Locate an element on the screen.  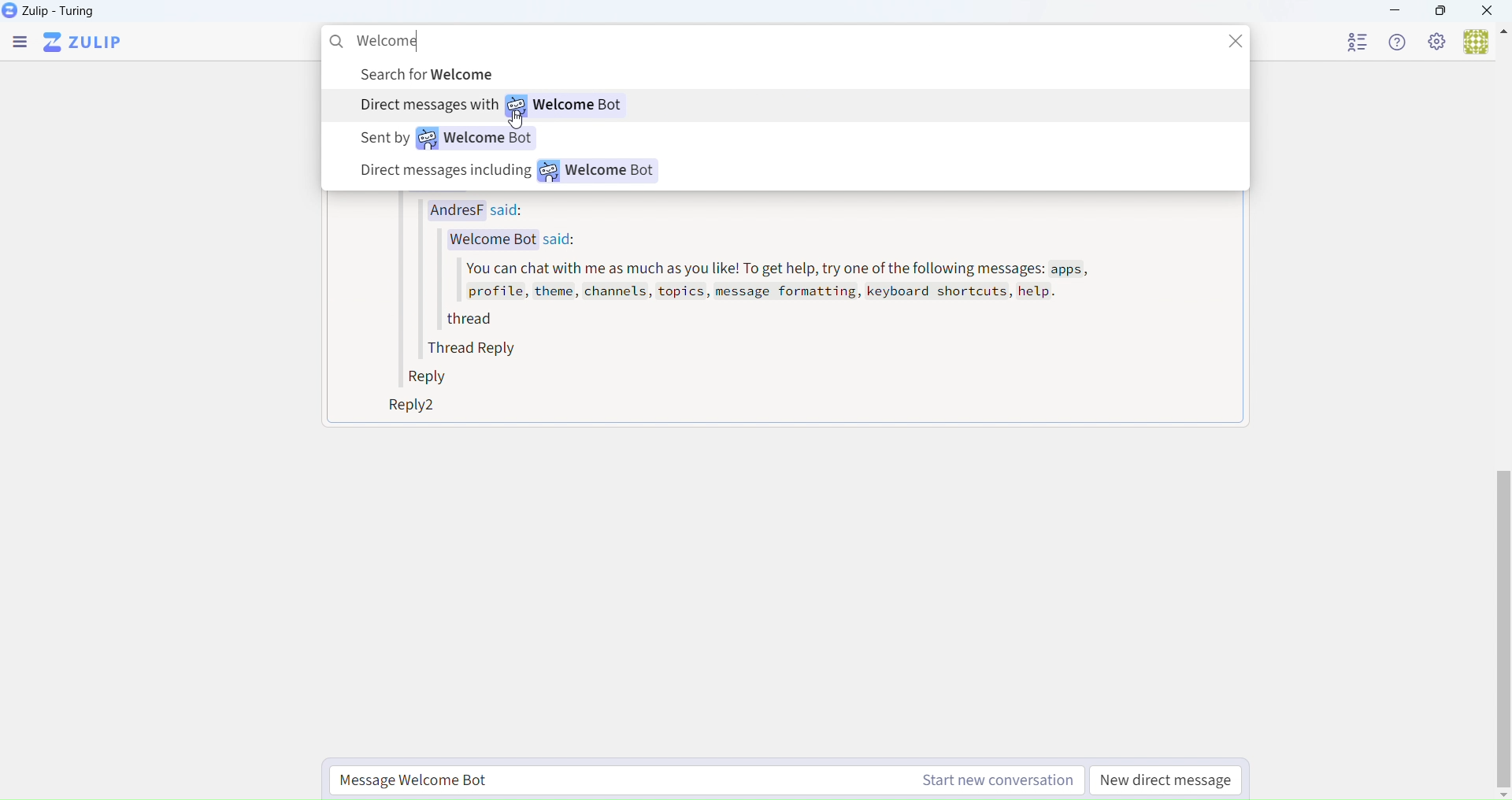
Userlist is located at coordinates (1359, 41).